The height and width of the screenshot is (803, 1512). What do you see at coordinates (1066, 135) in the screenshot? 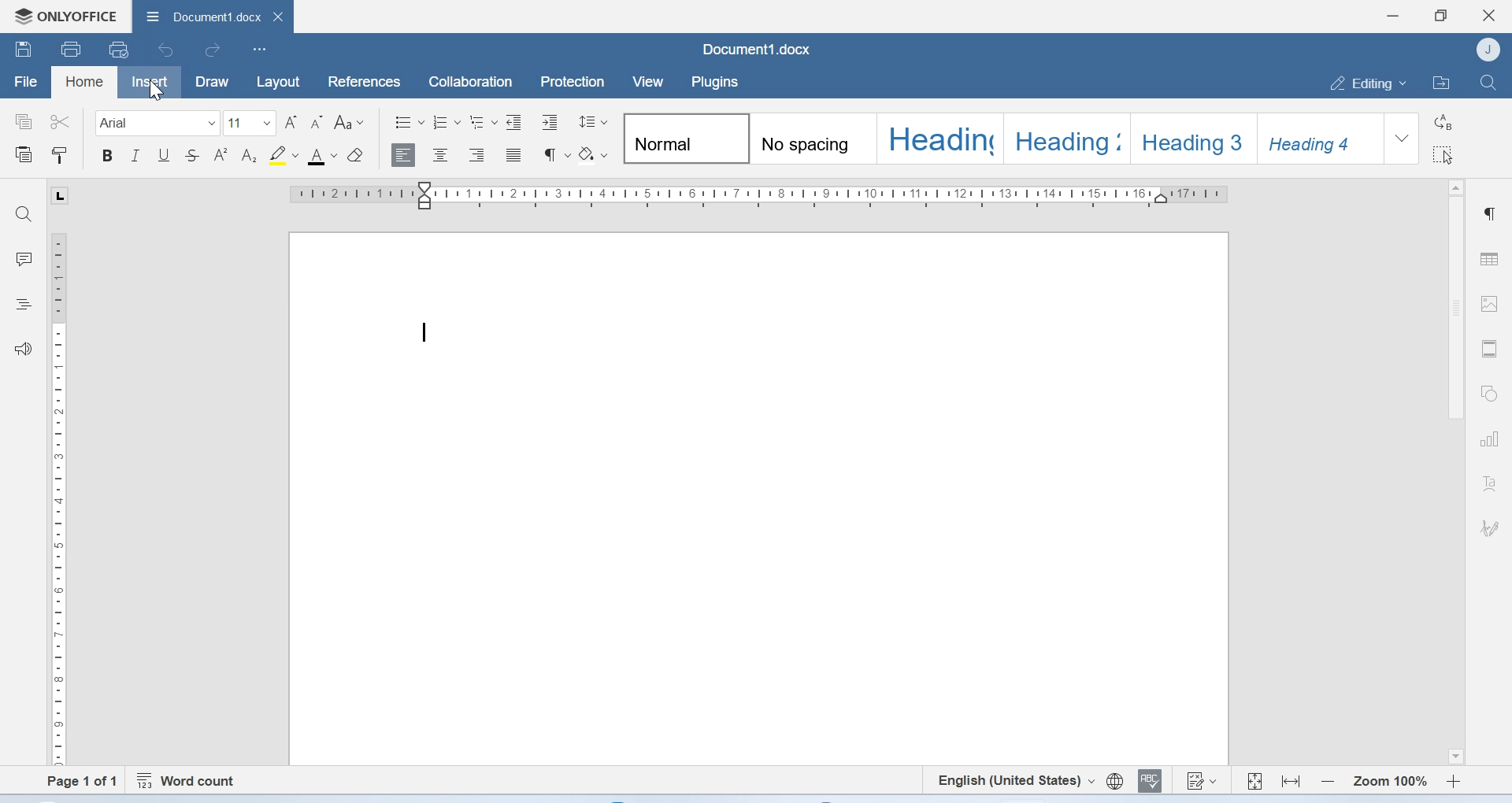
I see `Heading 2` at bounding box center [1066, 135].